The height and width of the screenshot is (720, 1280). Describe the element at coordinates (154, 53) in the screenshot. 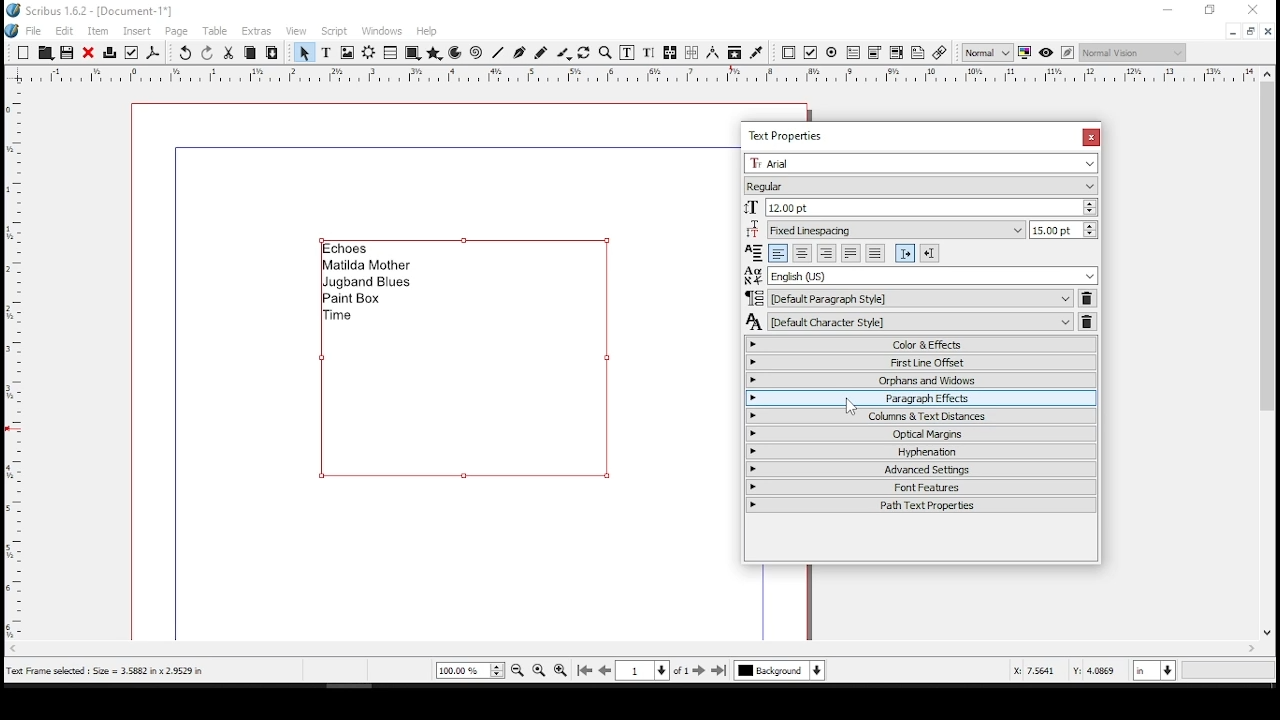

I see `save as pdf` at that location.